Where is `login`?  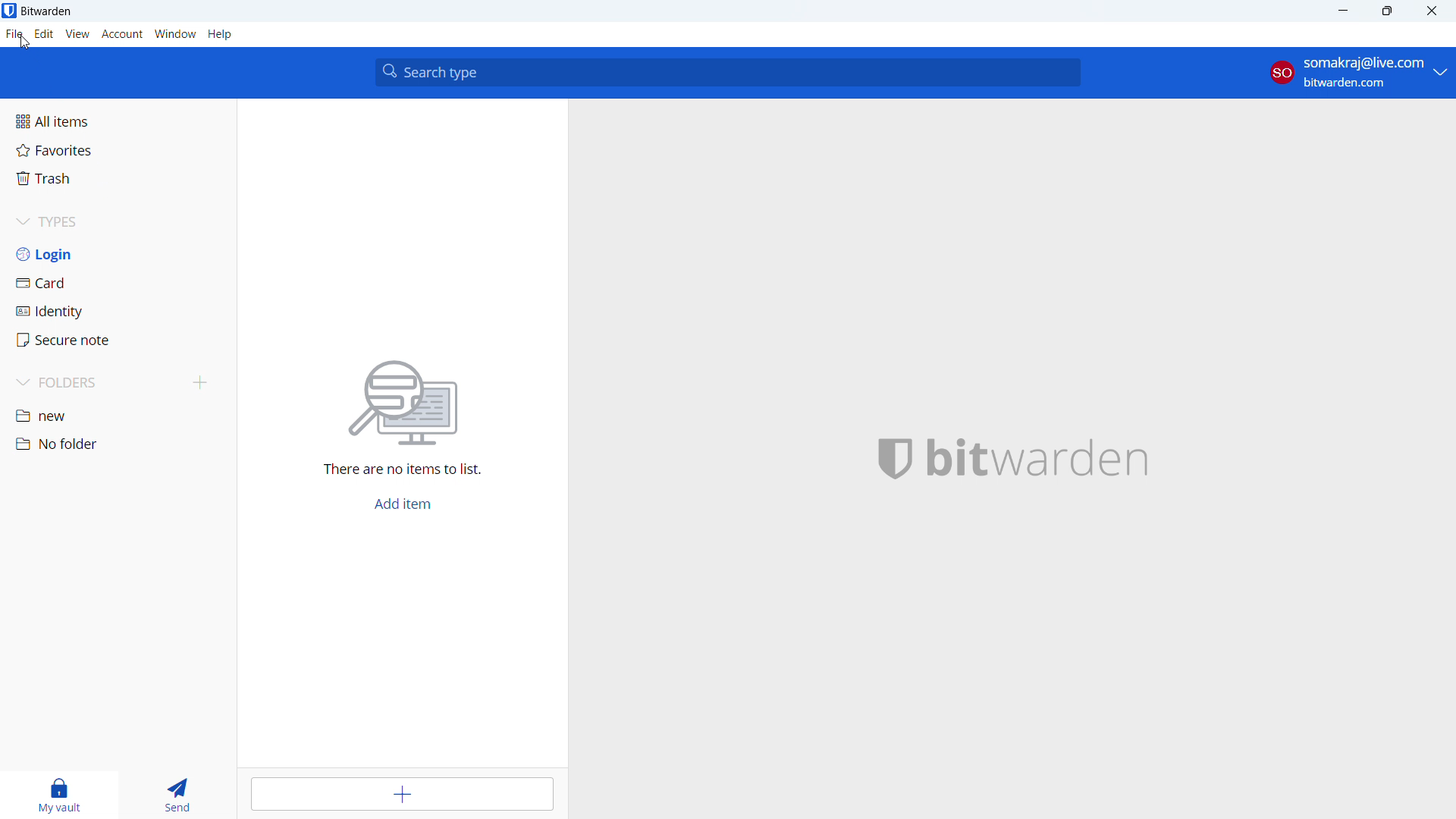 login is located at coordinates (118, 254).